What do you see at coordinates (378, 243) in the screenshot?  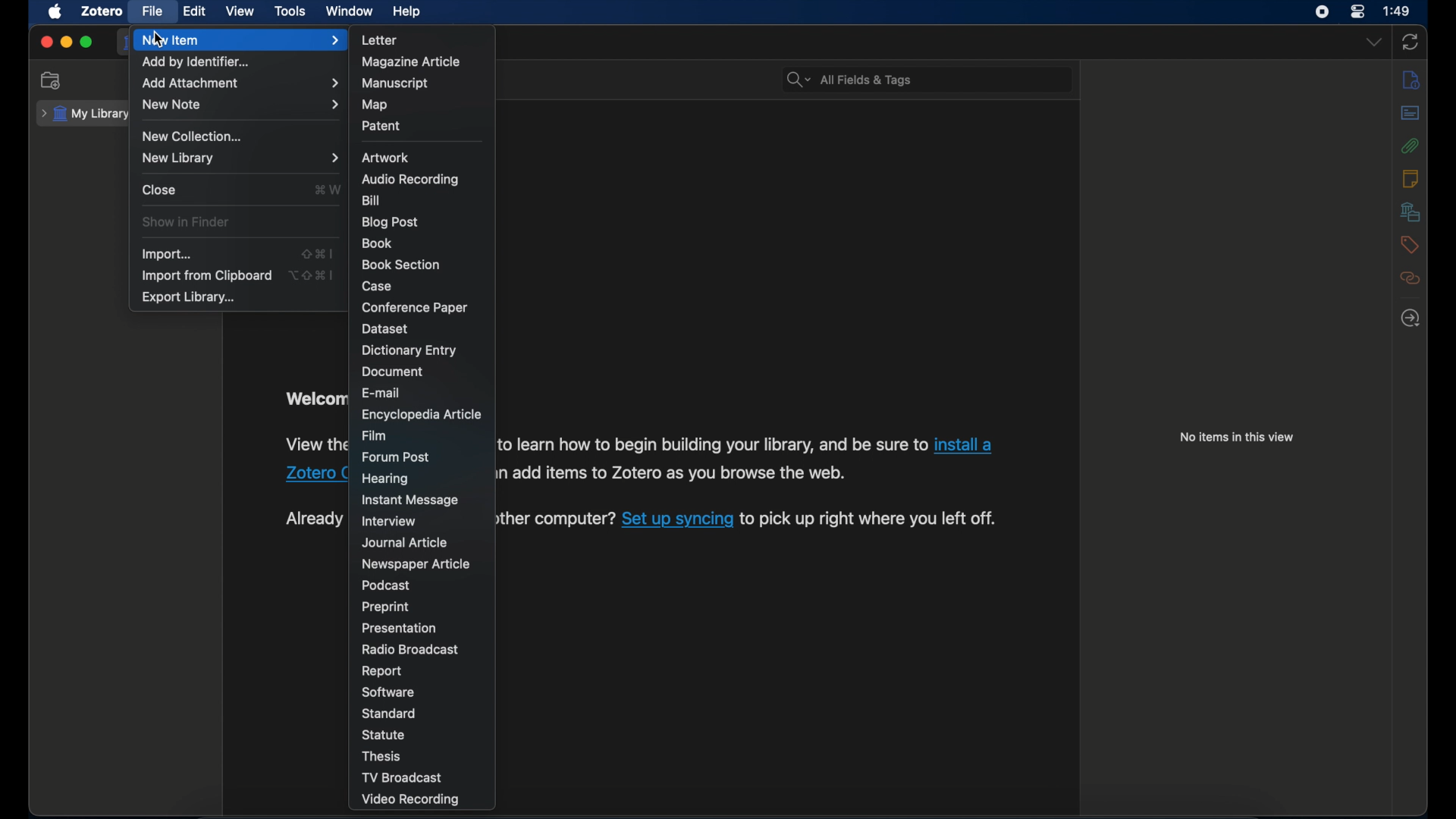 I see `book` at bounding box center [378, 243].